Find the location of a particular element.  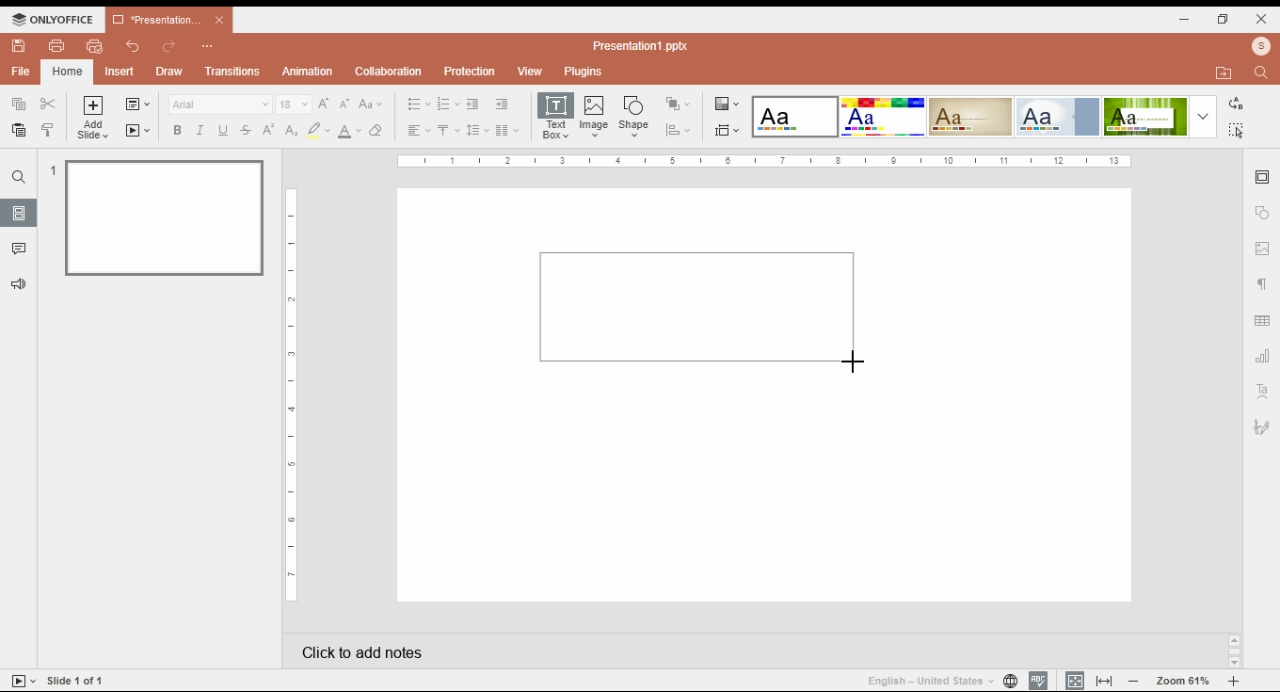

font color is located at coordinates (350, 131).